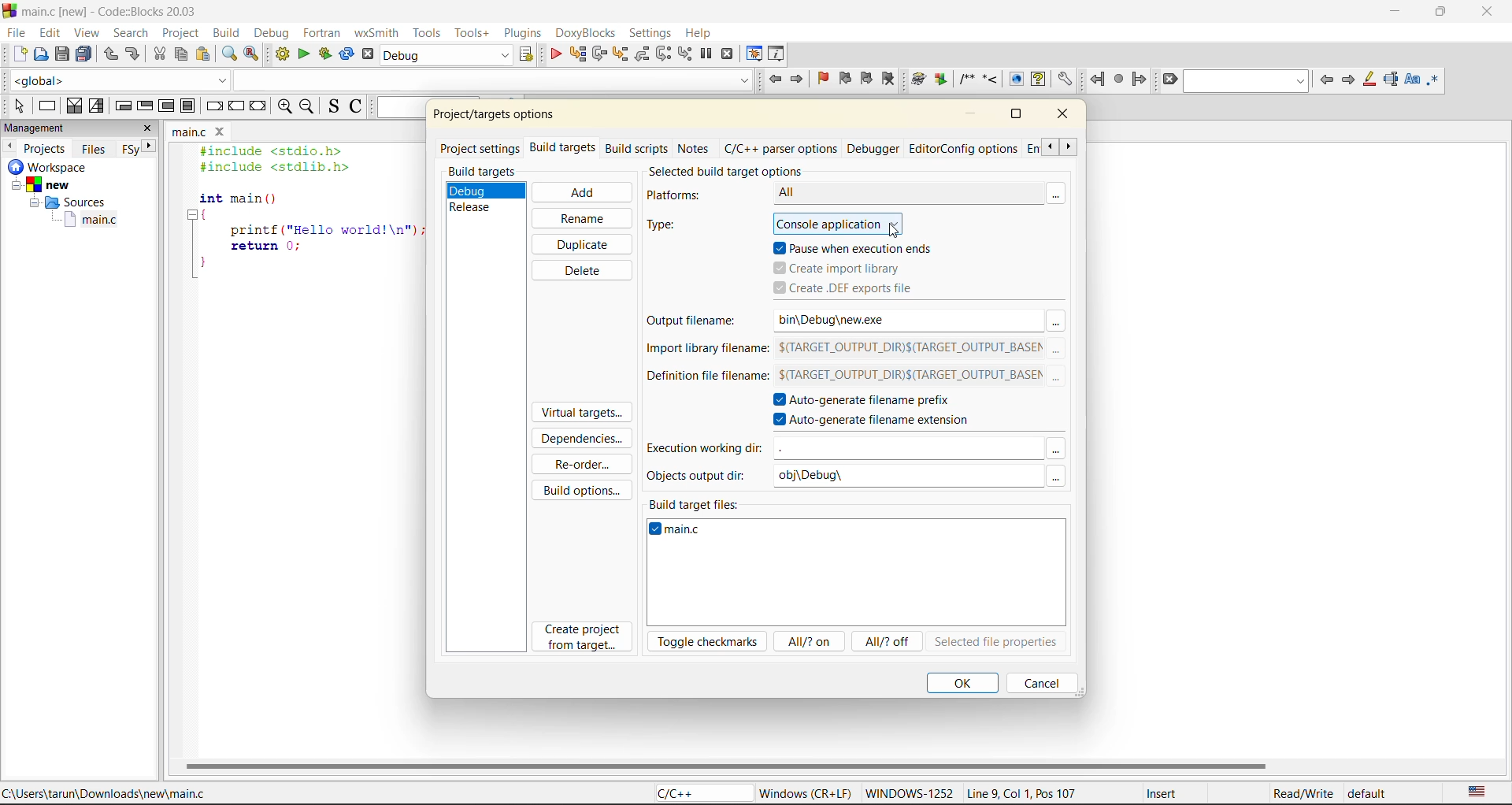  Describe the element at coordinates (50, 33) in the screenshot. I see `edit` at that location.